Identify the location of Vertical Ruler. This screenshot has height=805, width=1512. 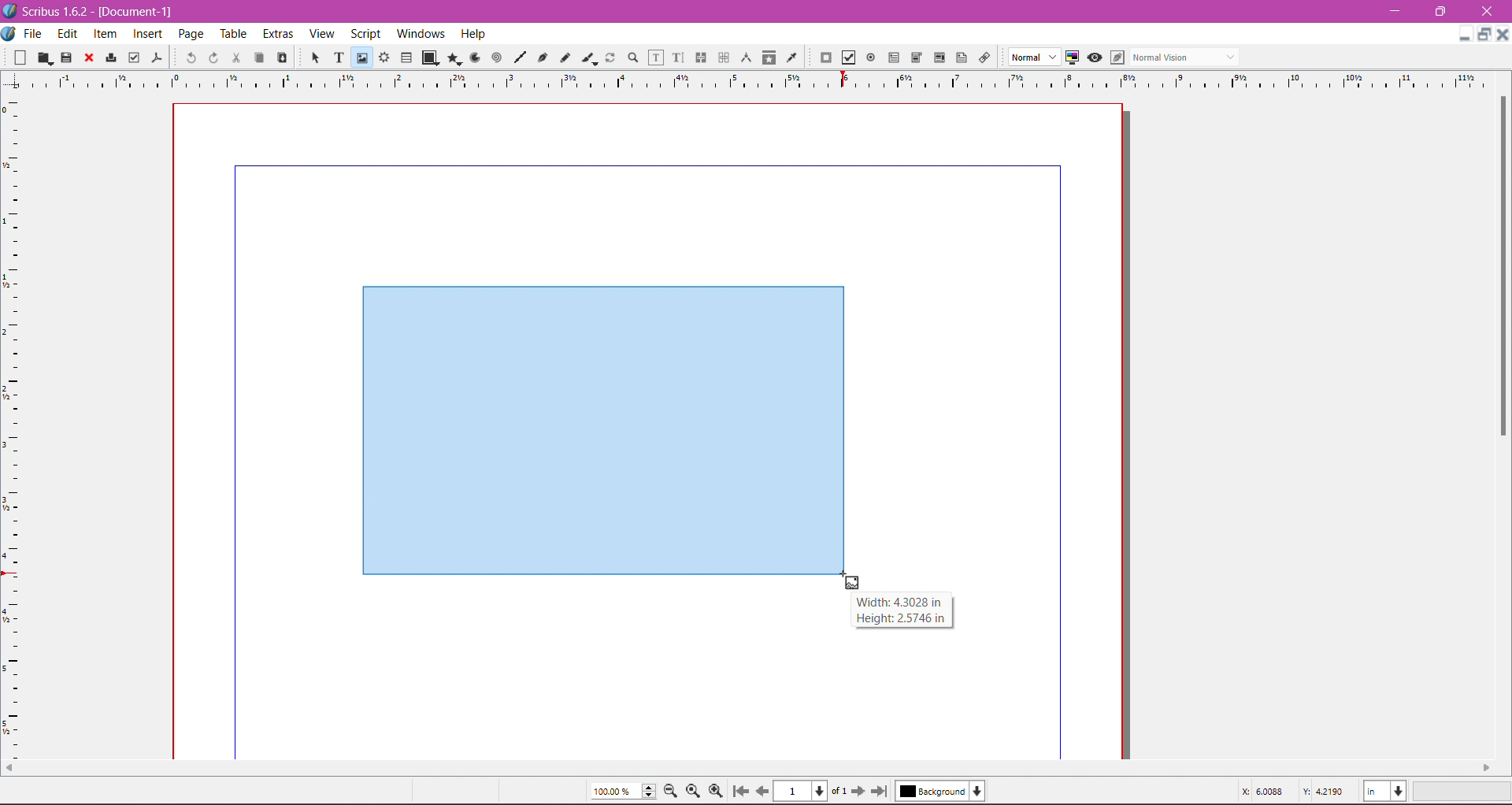
(13, 423).